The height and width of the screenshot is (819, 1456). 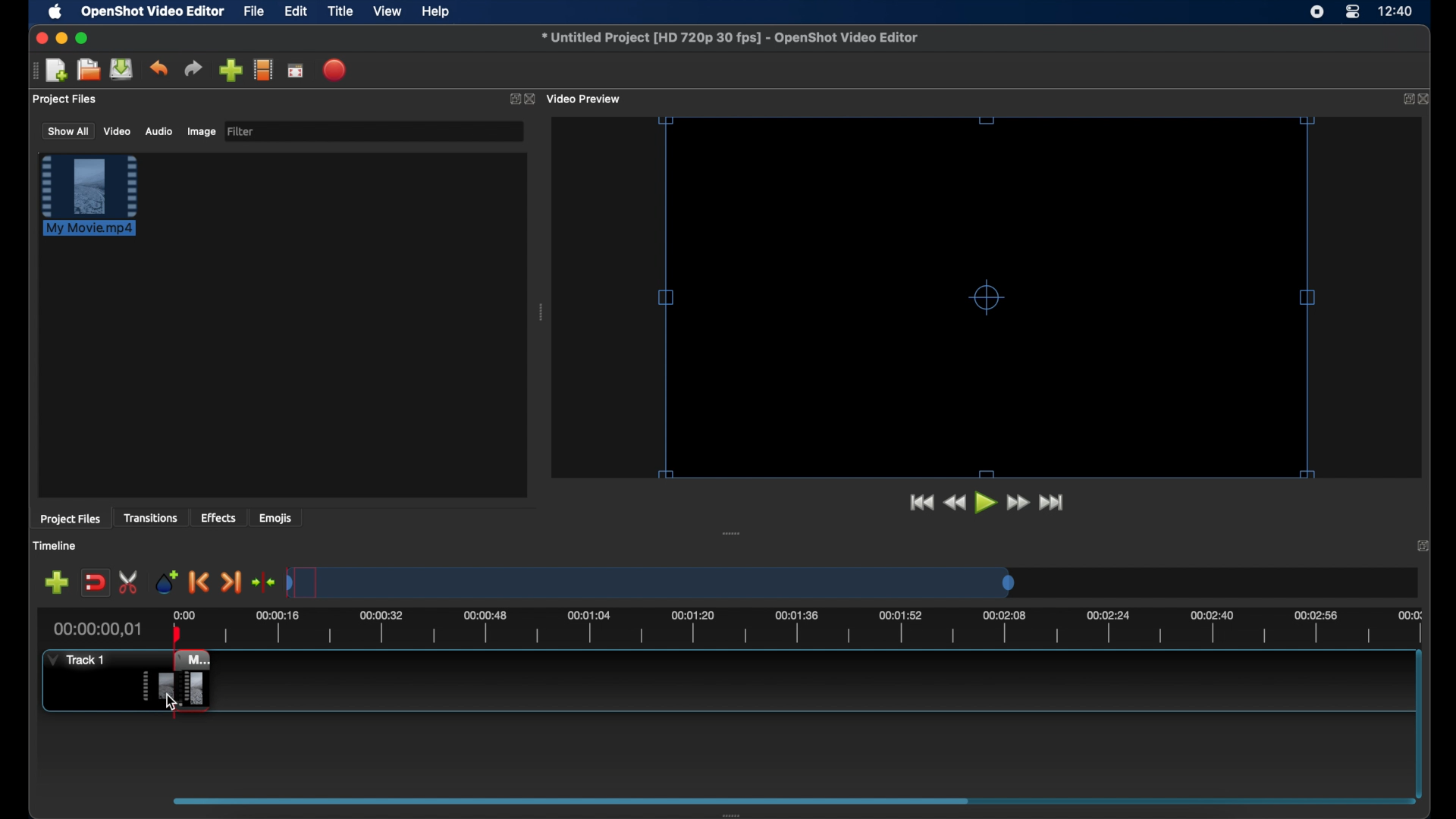 What do you see at coordinates (336, 70) in the screenshot?
I see `export video` at bounding box center [336, 70].